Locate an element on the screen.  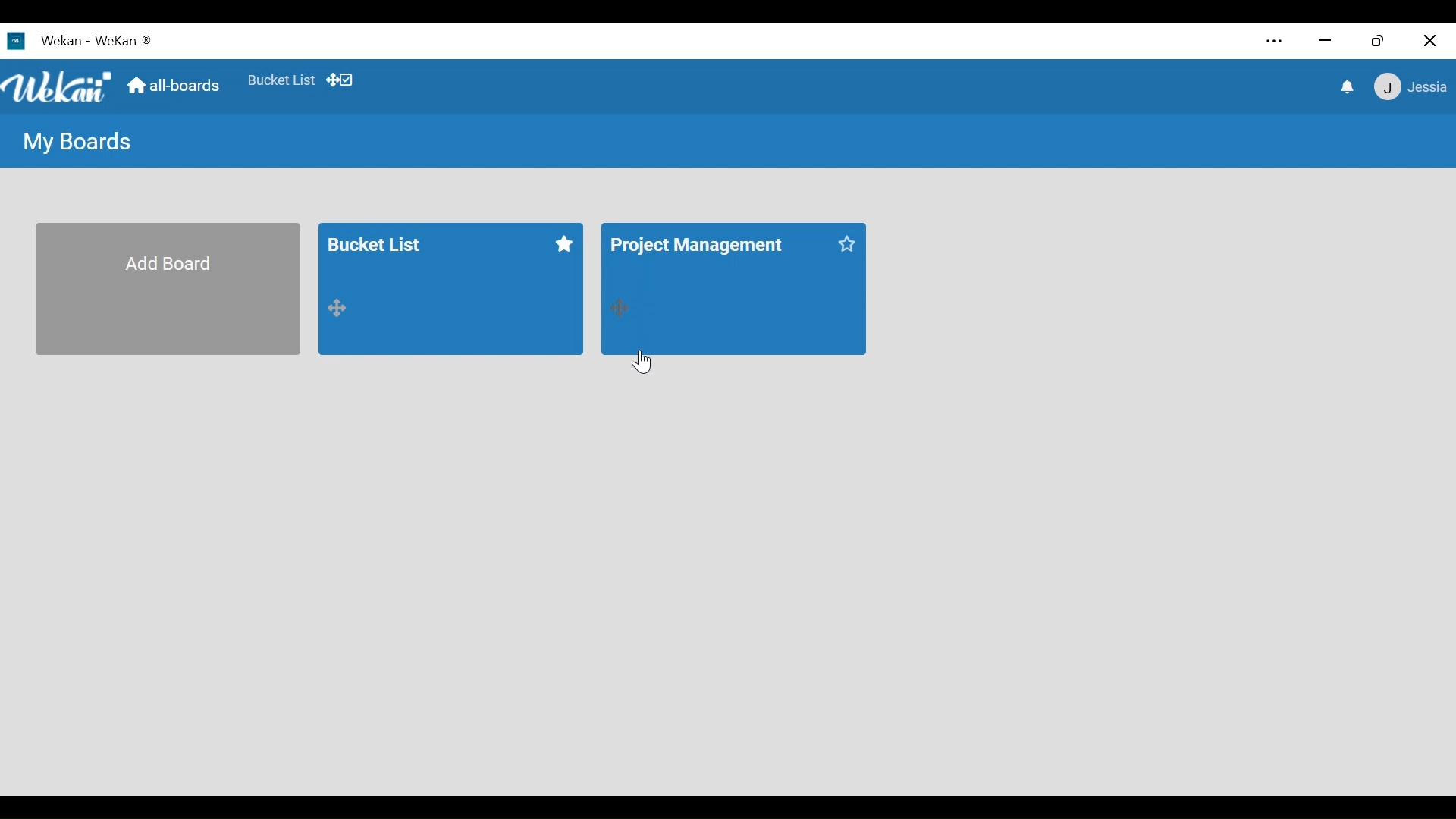
Bucket List is located at coordinates (378, 246).